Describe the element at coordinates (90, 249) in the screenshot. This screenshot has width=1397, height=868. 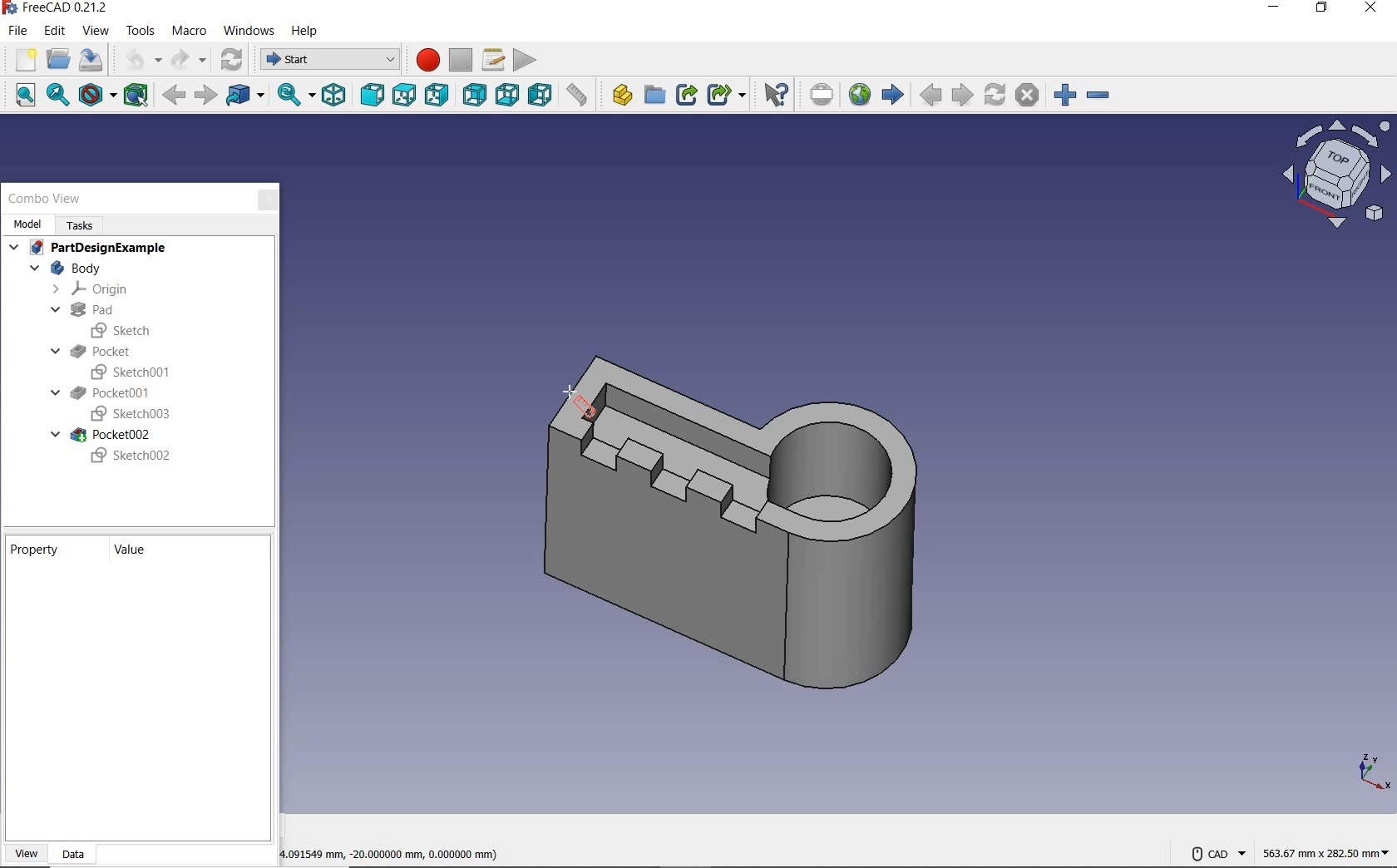
I see `PARTDESIGNEXAMPLE` at that location.